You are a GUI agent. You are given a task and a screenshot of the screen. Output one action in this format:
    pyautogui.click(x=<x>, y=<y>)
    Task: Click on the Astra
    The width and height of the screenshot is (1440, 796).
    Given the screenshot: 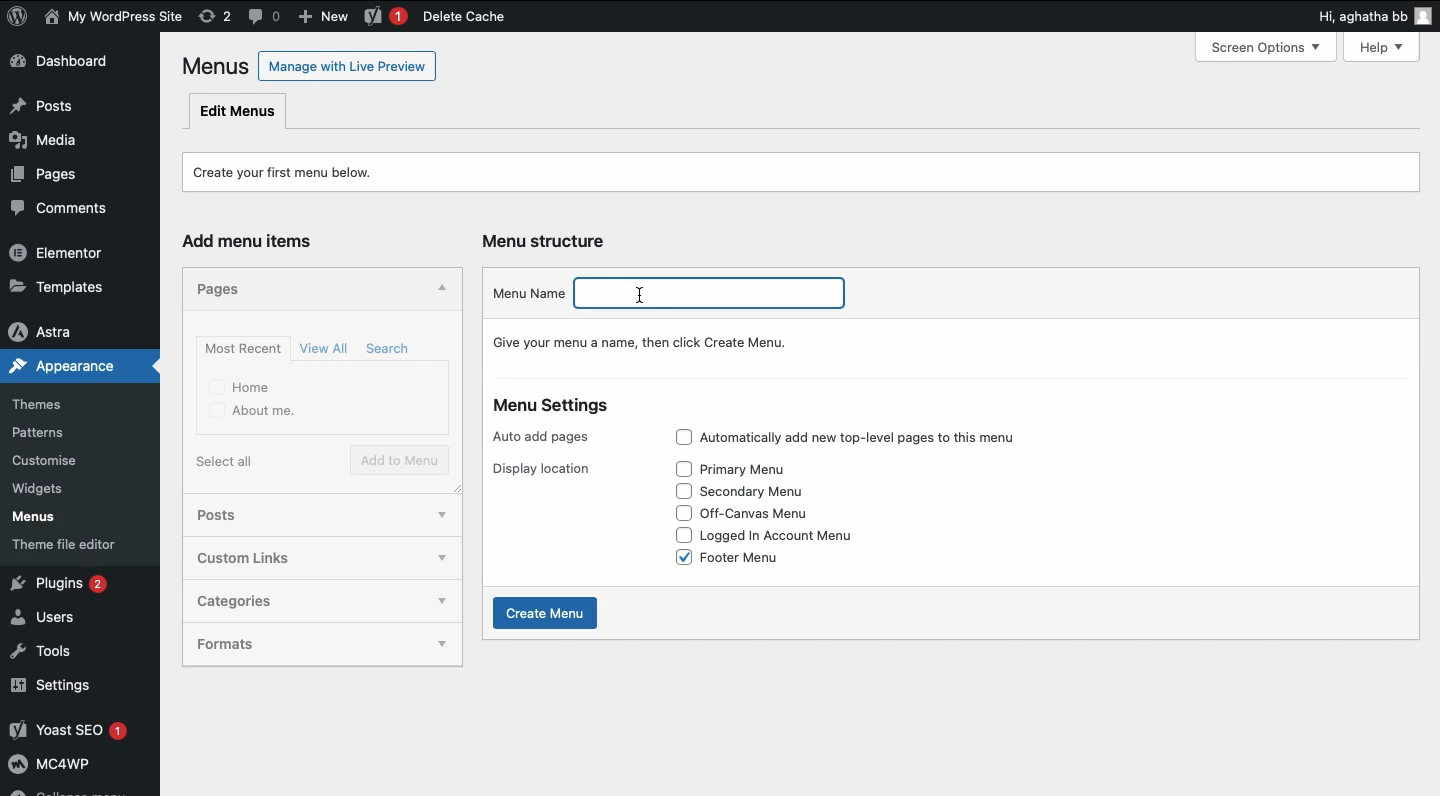 What is the action you would take?
    pyautogui.click(x=71, y=331)
    